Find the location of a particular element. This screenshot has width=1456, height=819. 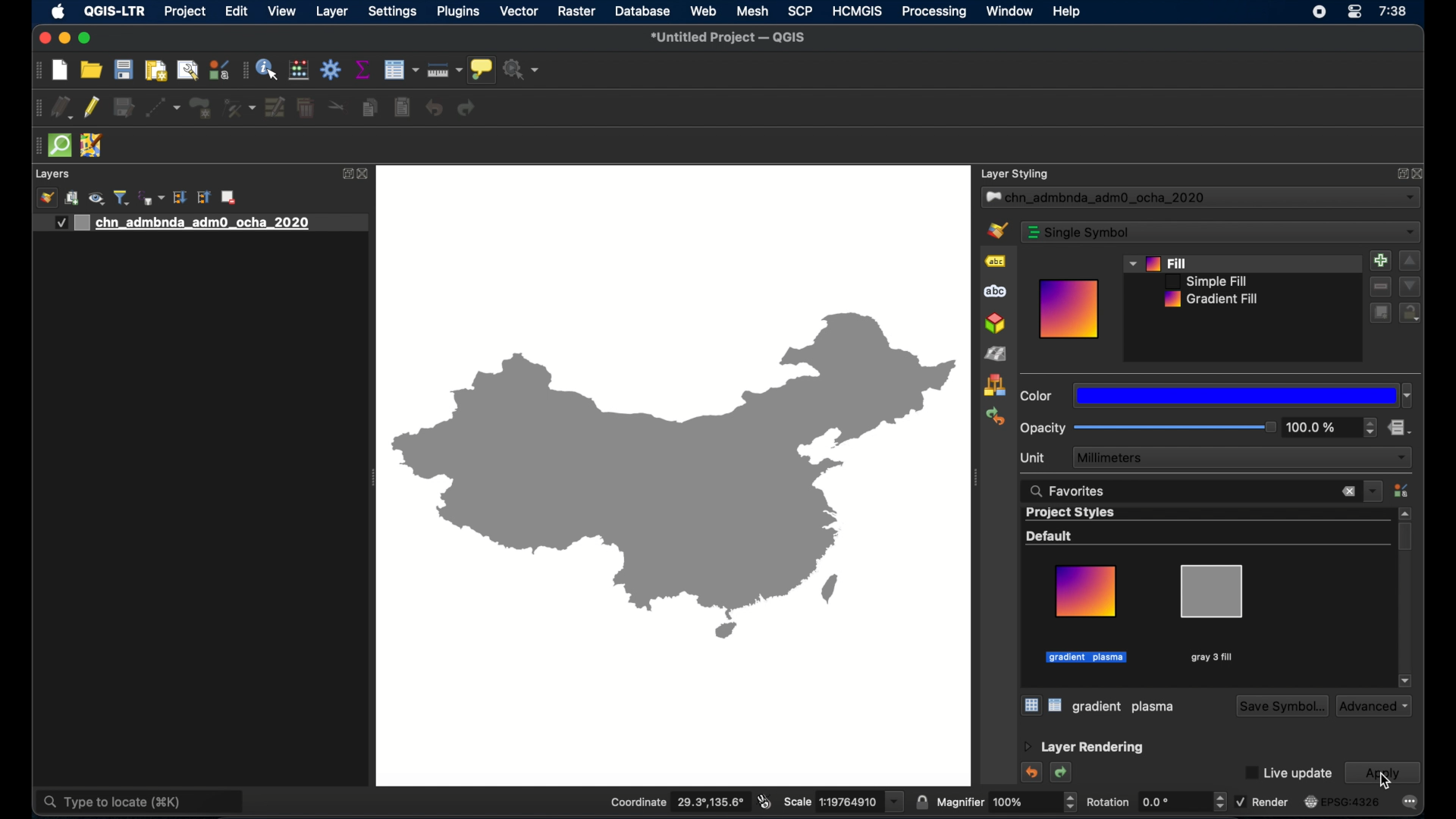

delete selected is located at coordinates (307, 108).